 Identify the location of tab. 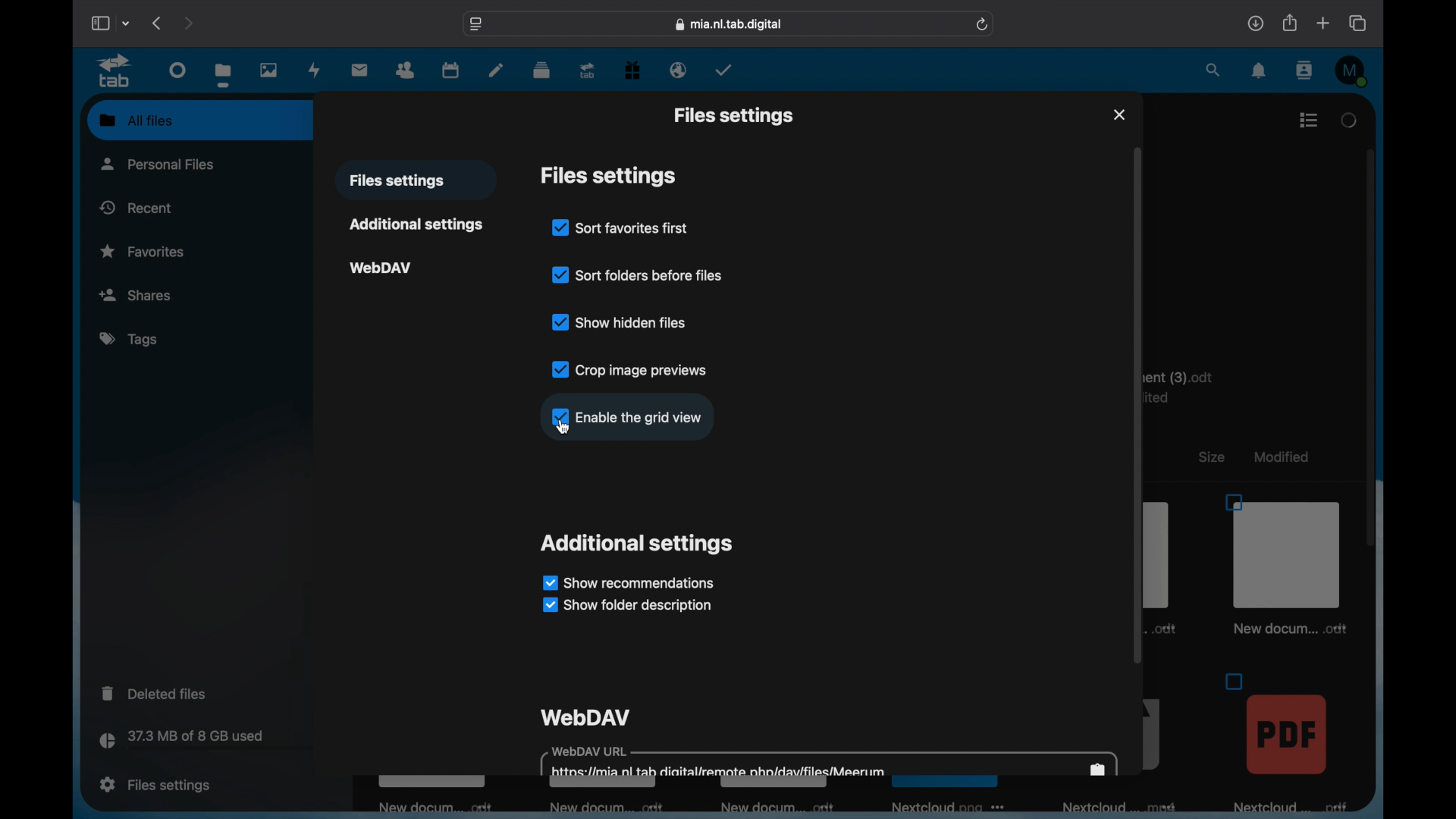
(588, 70).